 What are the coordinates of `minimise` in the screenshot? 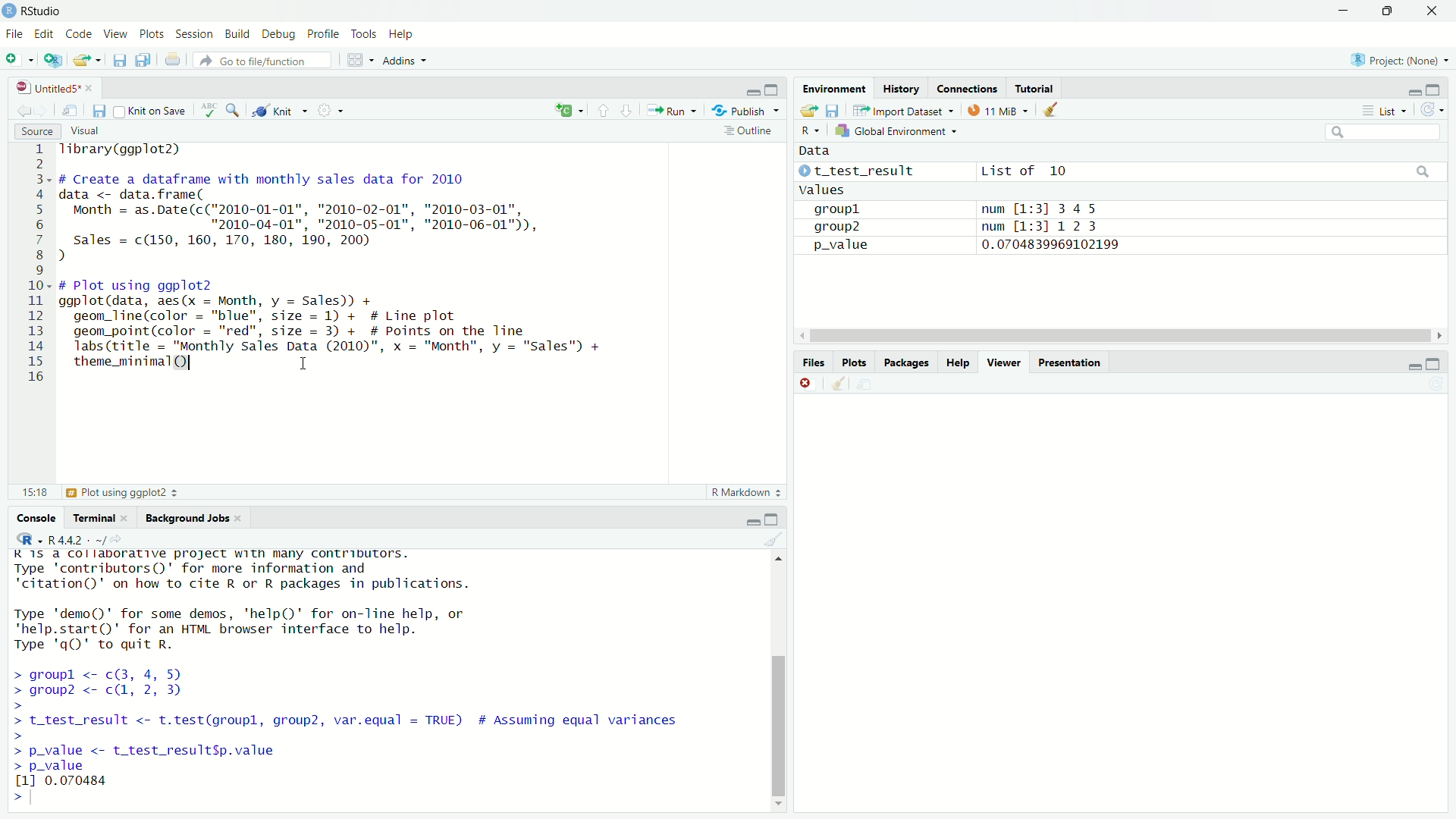 It's located at (1413, 365).